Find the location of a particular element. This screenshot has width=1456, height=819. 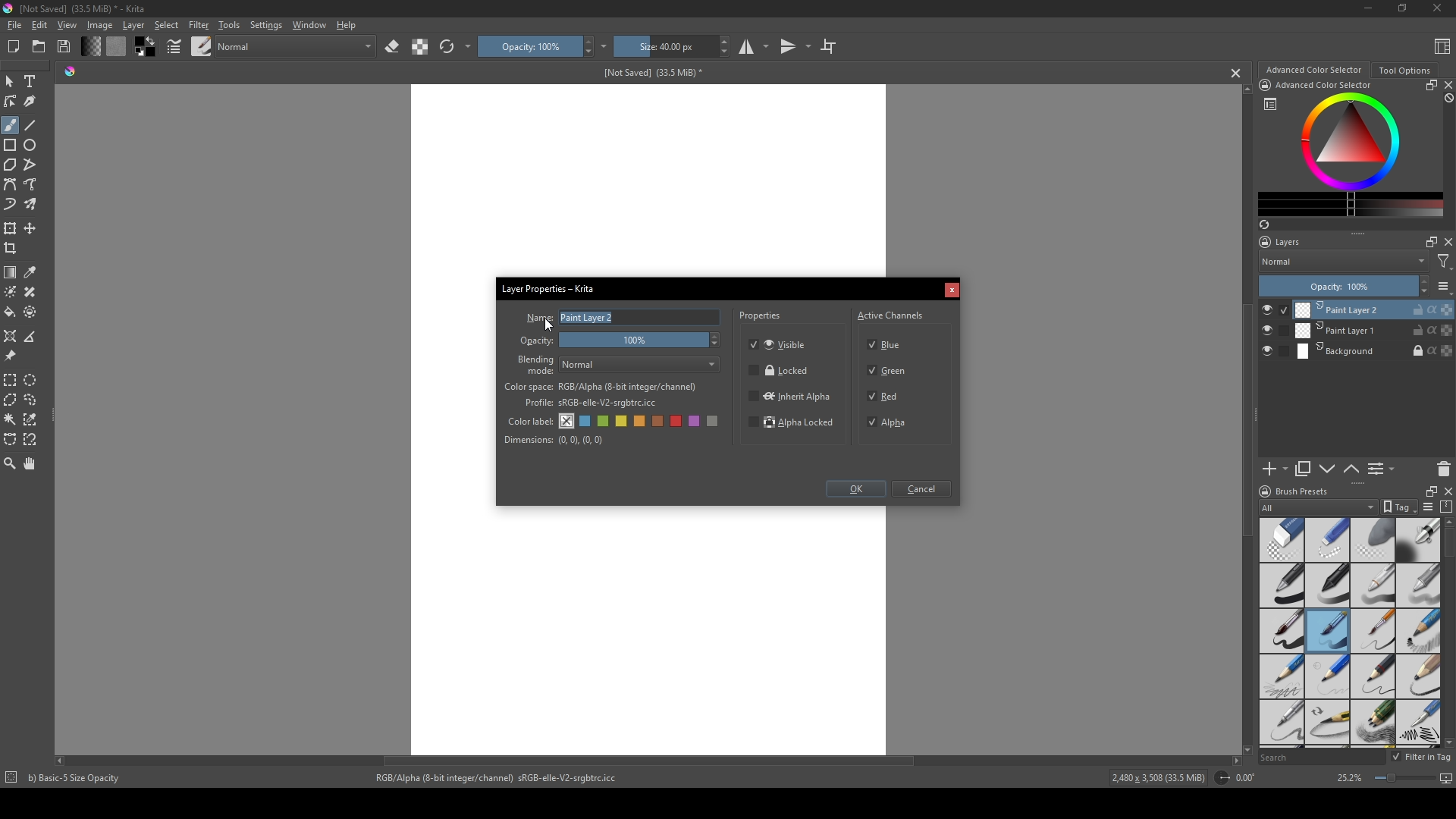

list is located at coordinates (1270, 104).